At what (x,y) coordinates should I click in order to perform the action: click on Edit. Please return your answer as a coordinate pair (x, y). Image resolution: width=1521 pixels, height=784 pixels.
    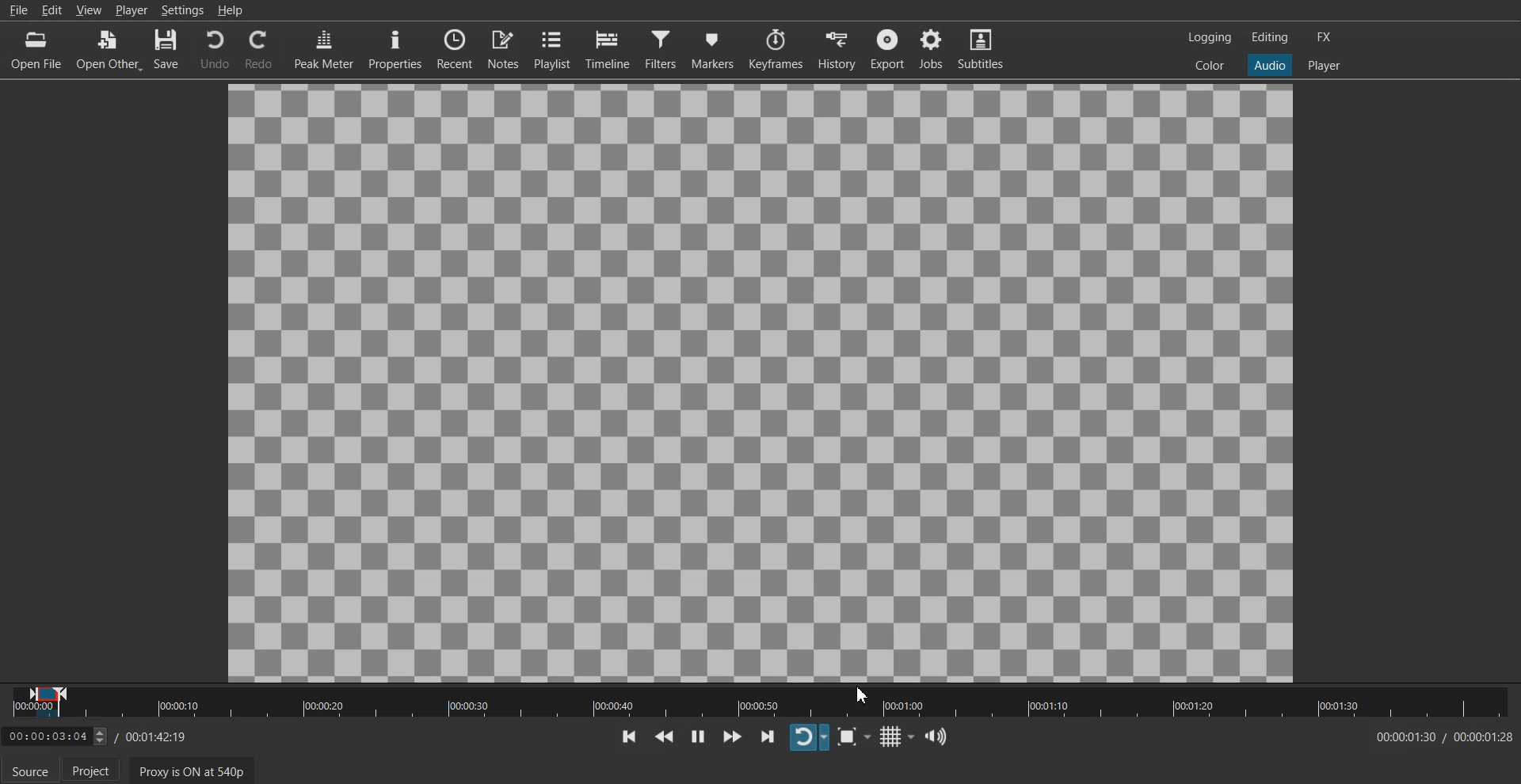
    Looking at the image, I should click on (51, 10).